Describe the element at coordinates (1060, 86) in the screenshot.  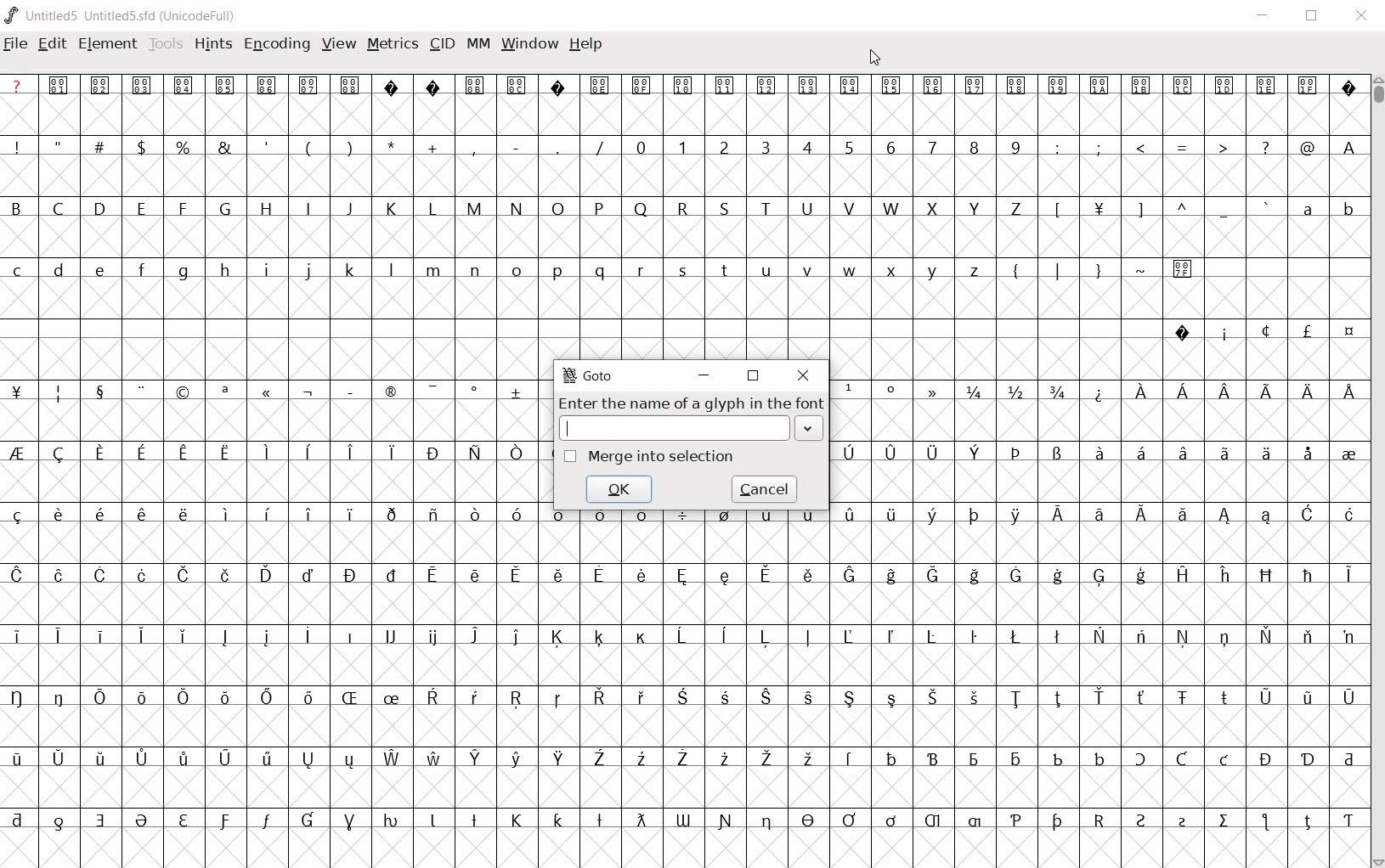
I see `Symbol` at that location.